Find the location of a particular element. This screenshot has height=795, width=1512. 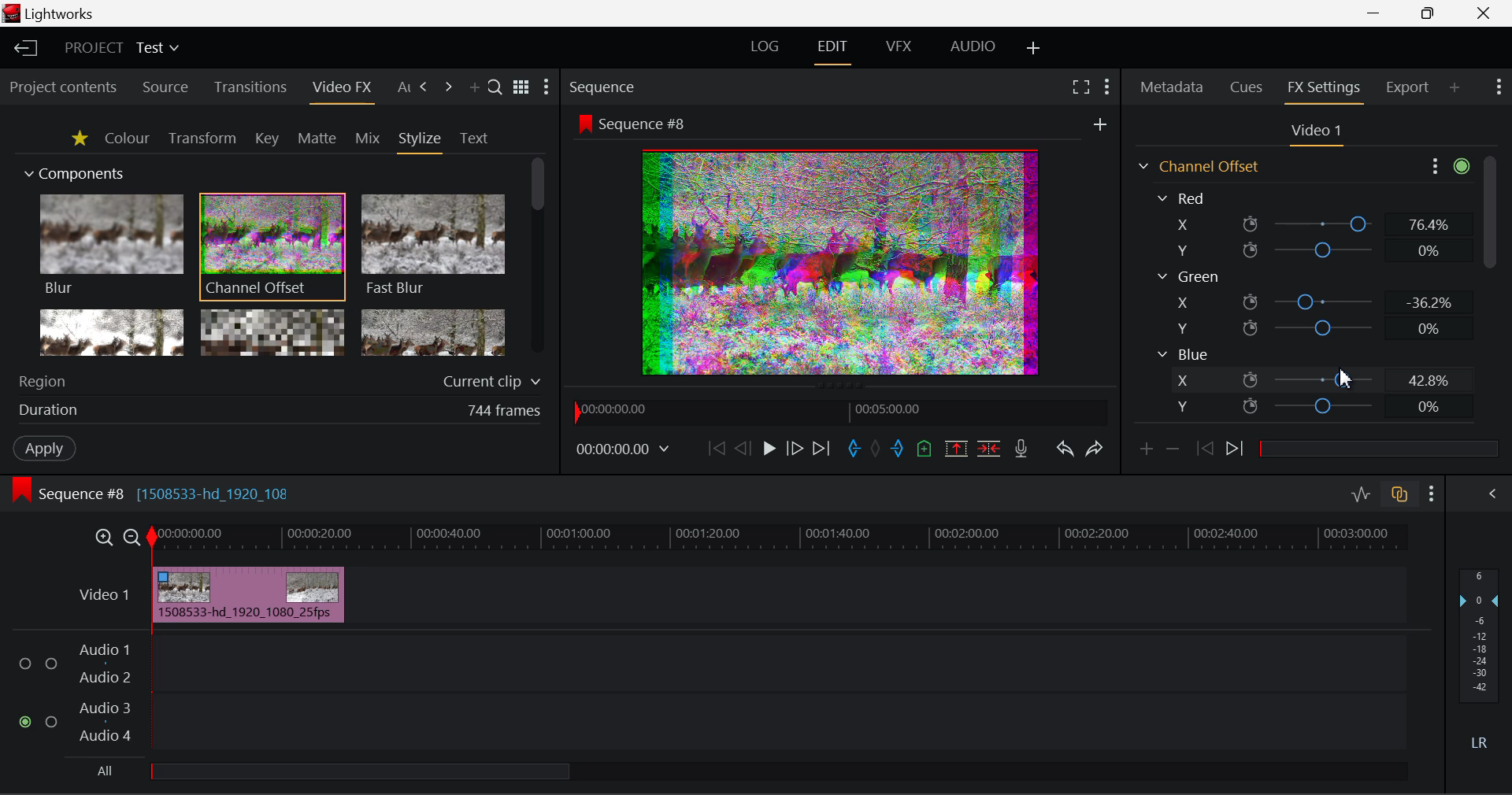

Add keyframe is located at coordinates (1145, 453).